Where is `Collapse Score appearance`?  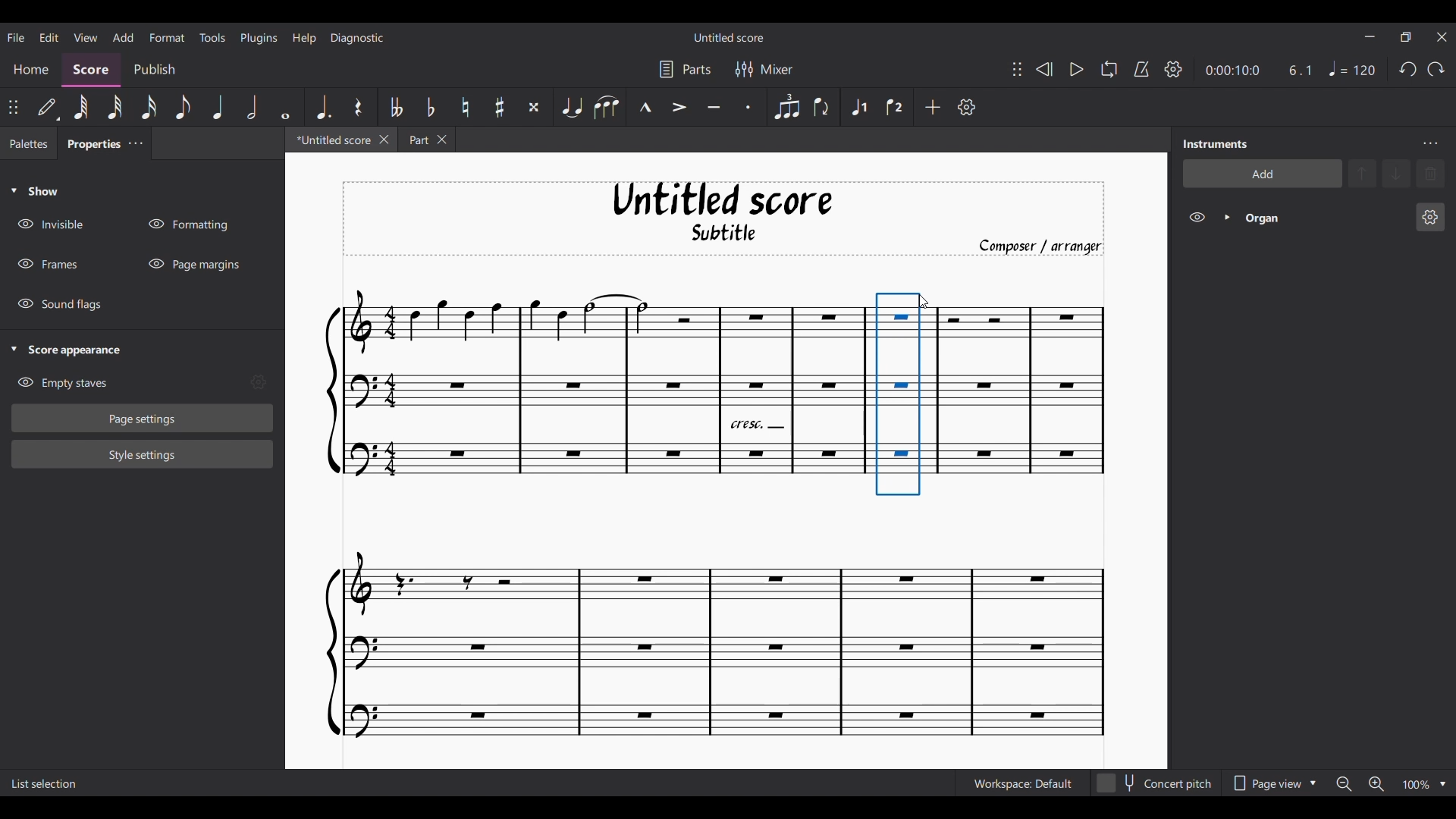
Collapse Score appearance is located at coordinates (67, 351).